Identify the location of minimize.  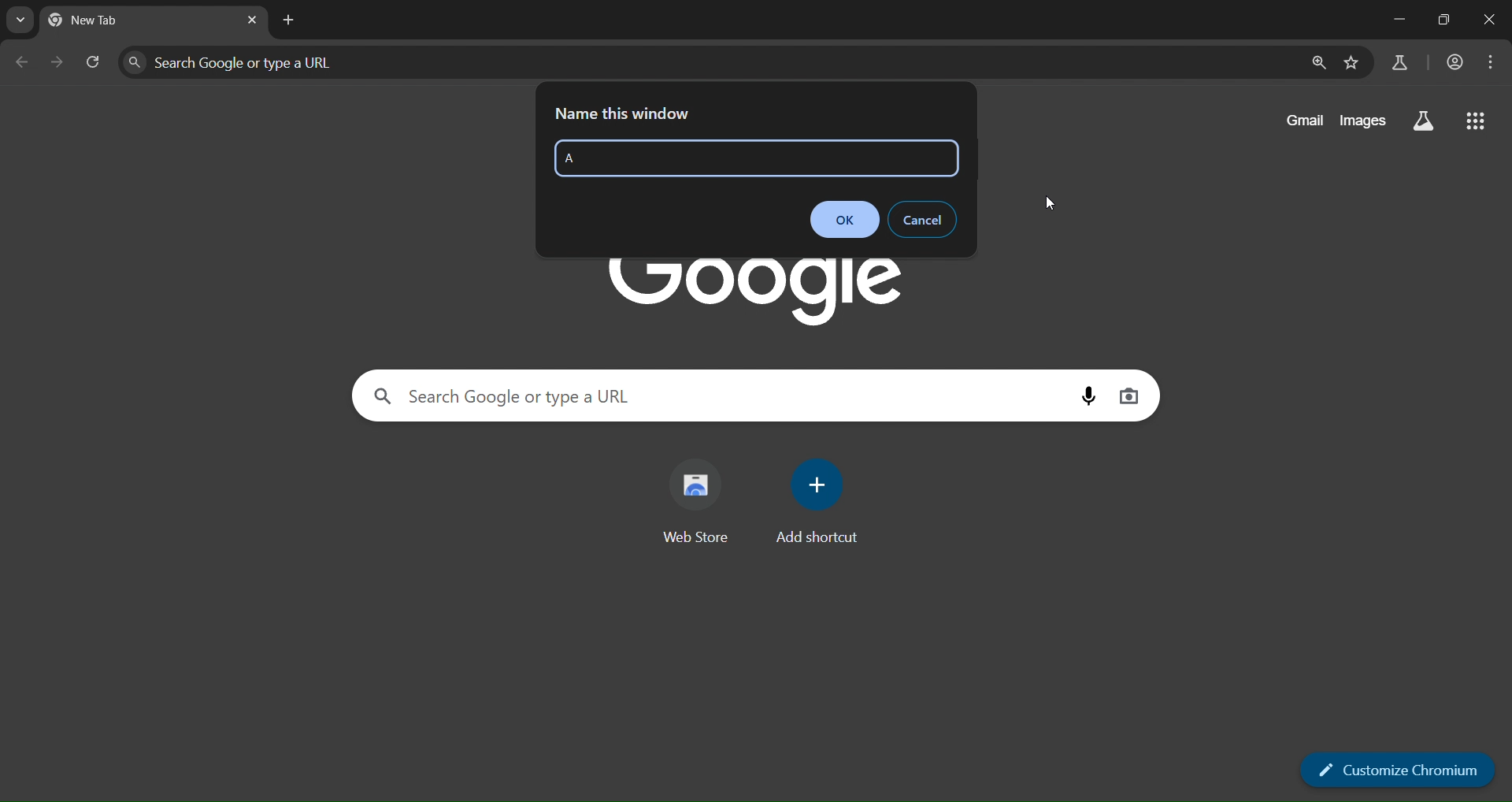
(1395, 19).